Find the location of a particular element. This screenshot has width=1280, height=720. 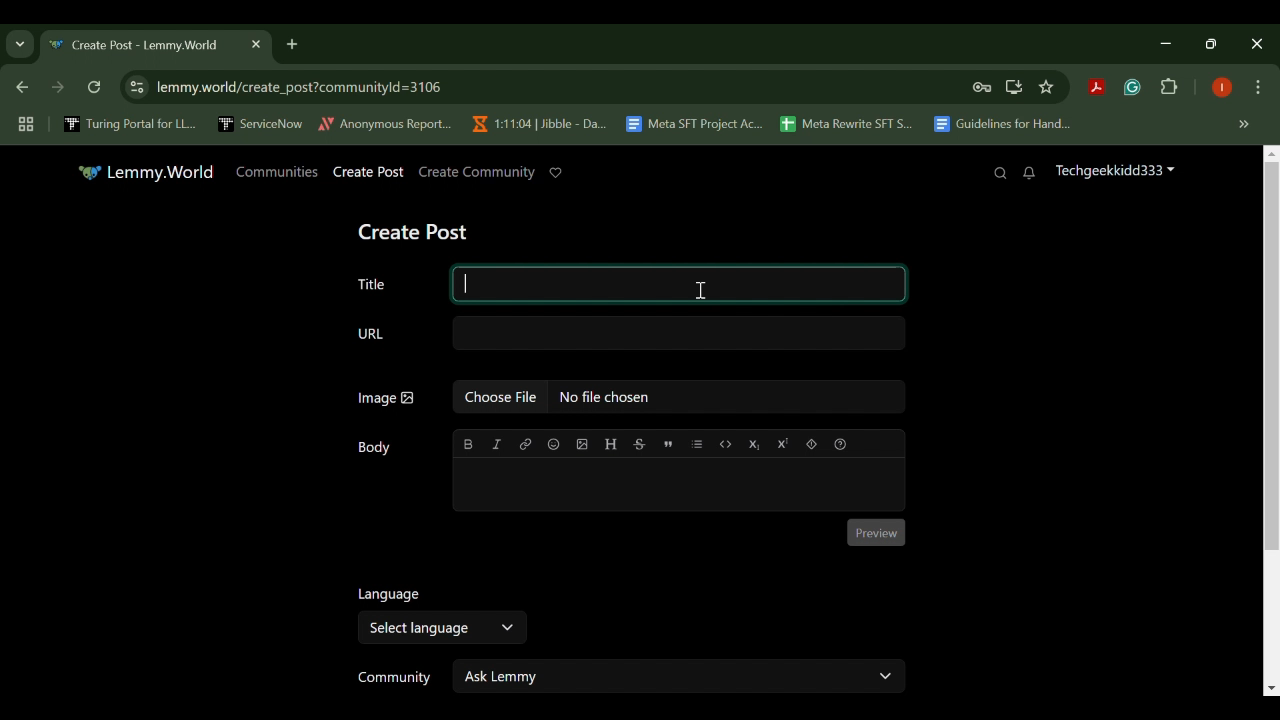

Search  is located at coordinates (1000, 173).